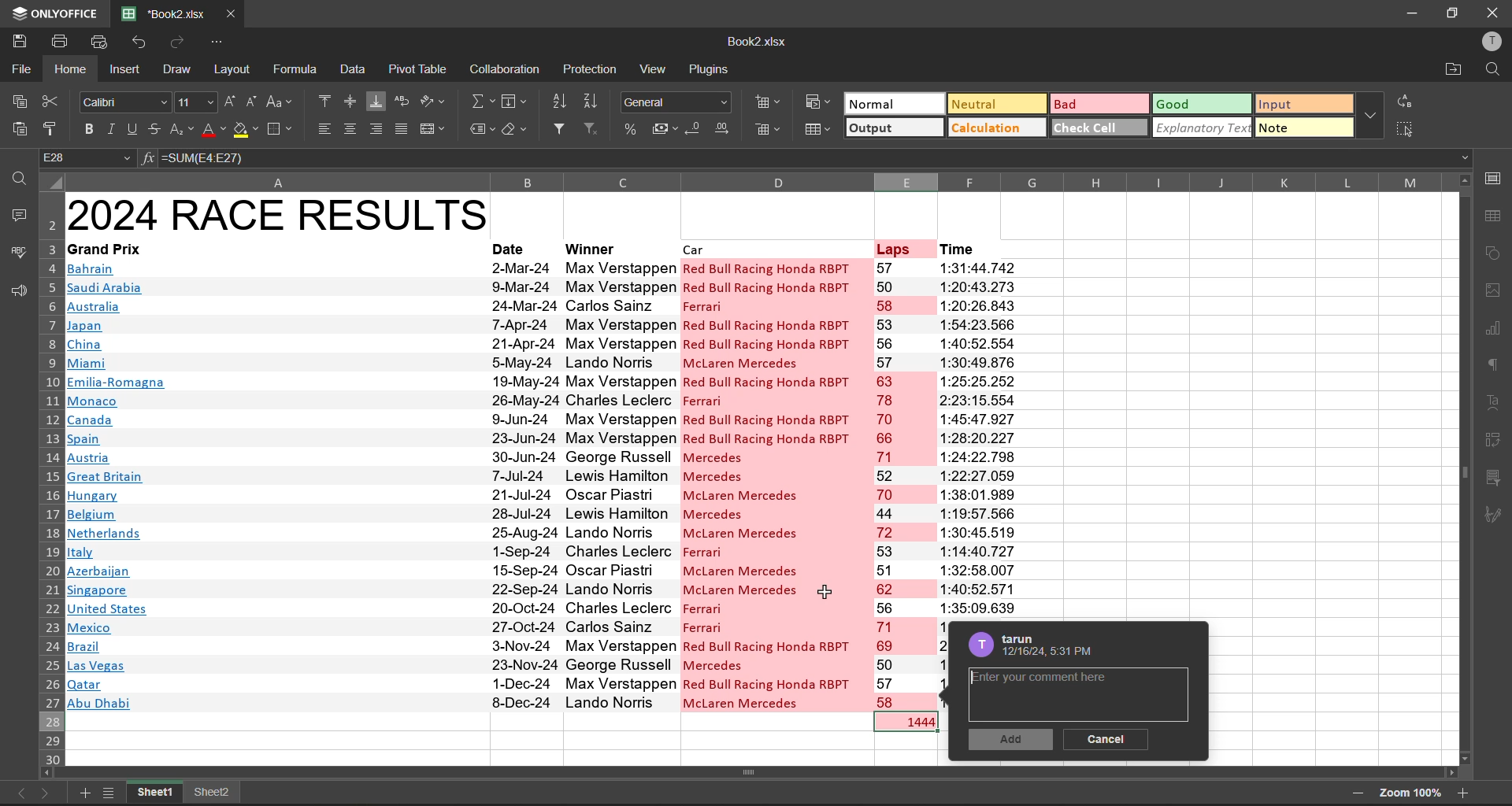 The height and width of the screenshot is (806, 1512). What do you see at coordinates (591, 250) in the screenshot?
I see `winner` at bounding box center [591, 250].